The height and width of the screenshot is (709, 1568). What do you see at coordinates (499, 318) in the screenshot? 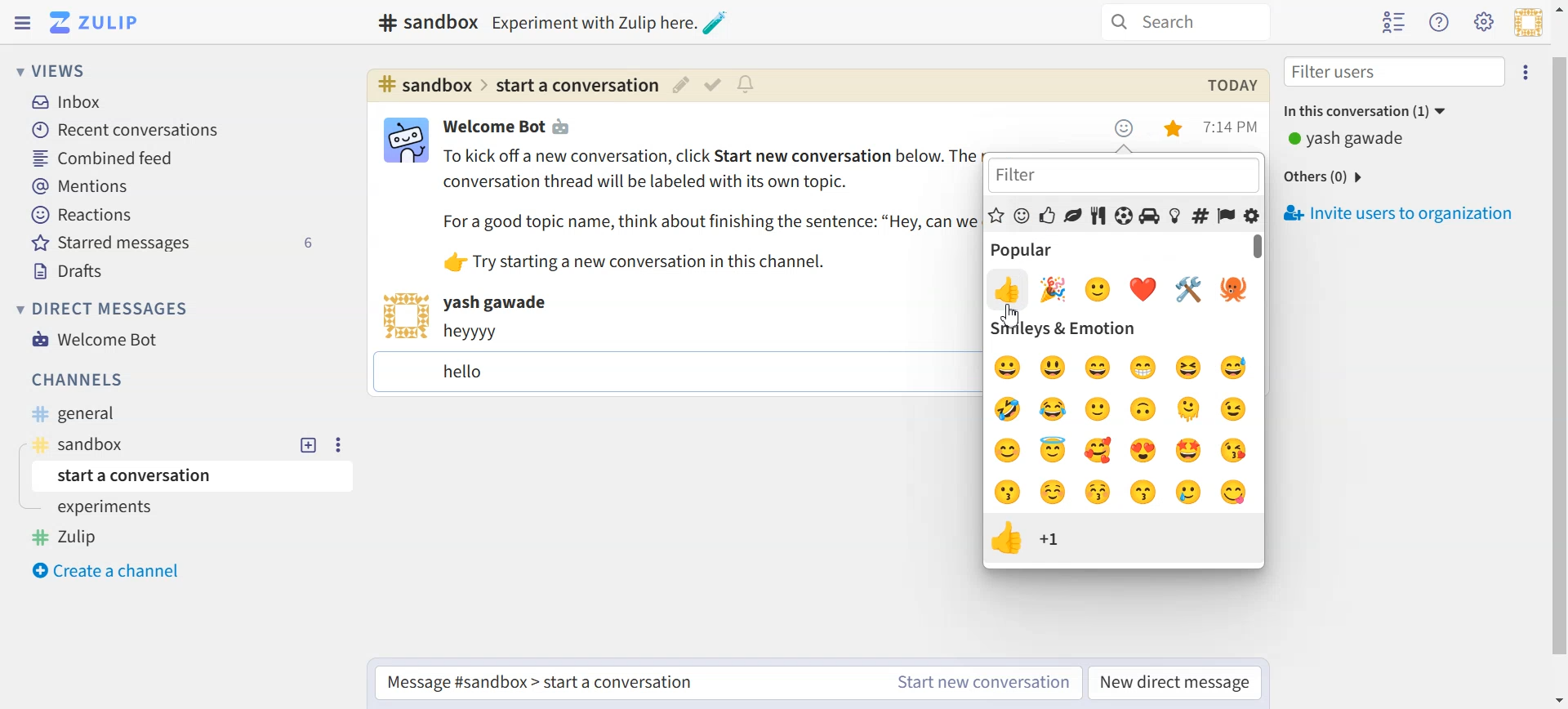
I see `Text` at bounding box center [499, 318].